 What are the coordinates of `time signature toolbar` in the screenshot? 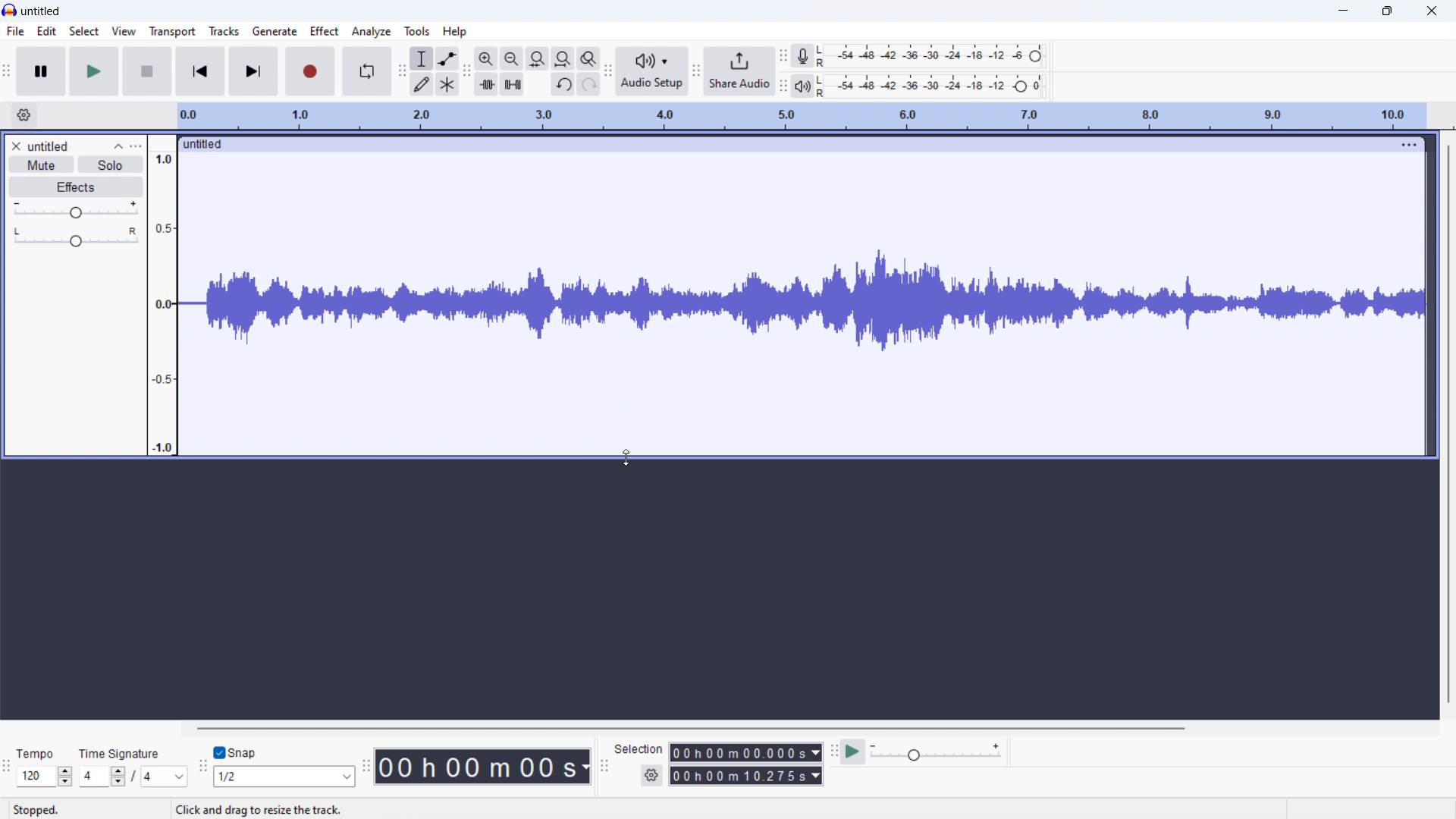 It's located at (6, 768).